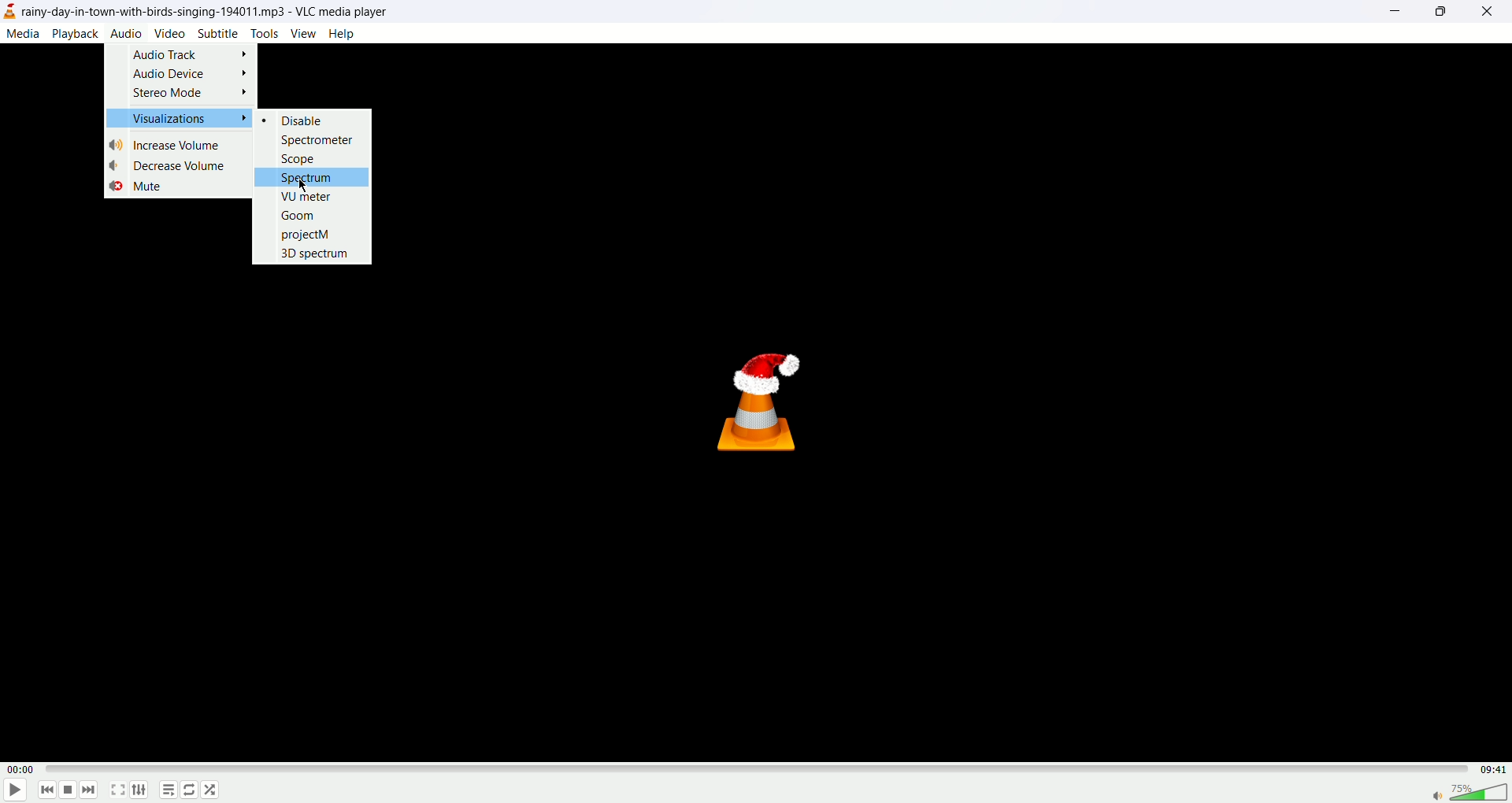 This screenshot has height=803, width=1512. What do you see at coordinates (299, 214) in the screenshot?
I see `groom` at bounding box center [299, 214].